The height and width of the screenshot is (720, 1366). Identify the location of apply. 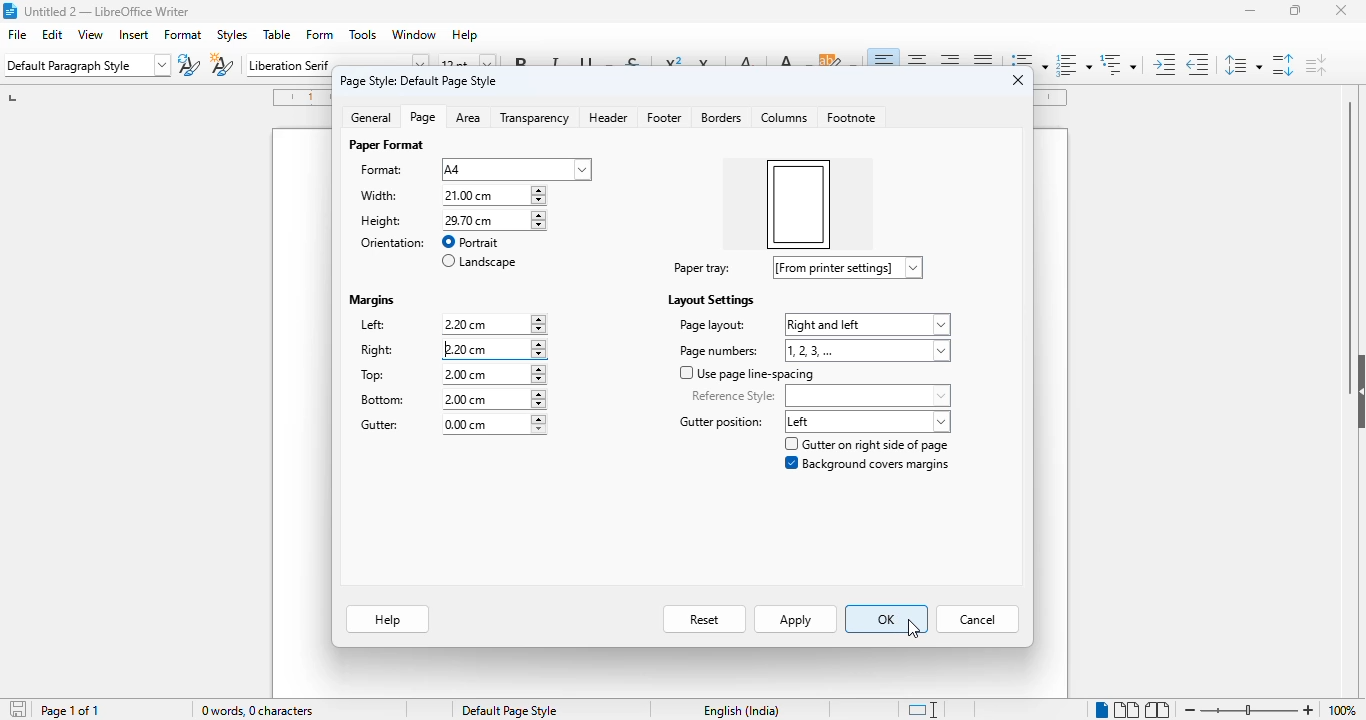
(794, 619).